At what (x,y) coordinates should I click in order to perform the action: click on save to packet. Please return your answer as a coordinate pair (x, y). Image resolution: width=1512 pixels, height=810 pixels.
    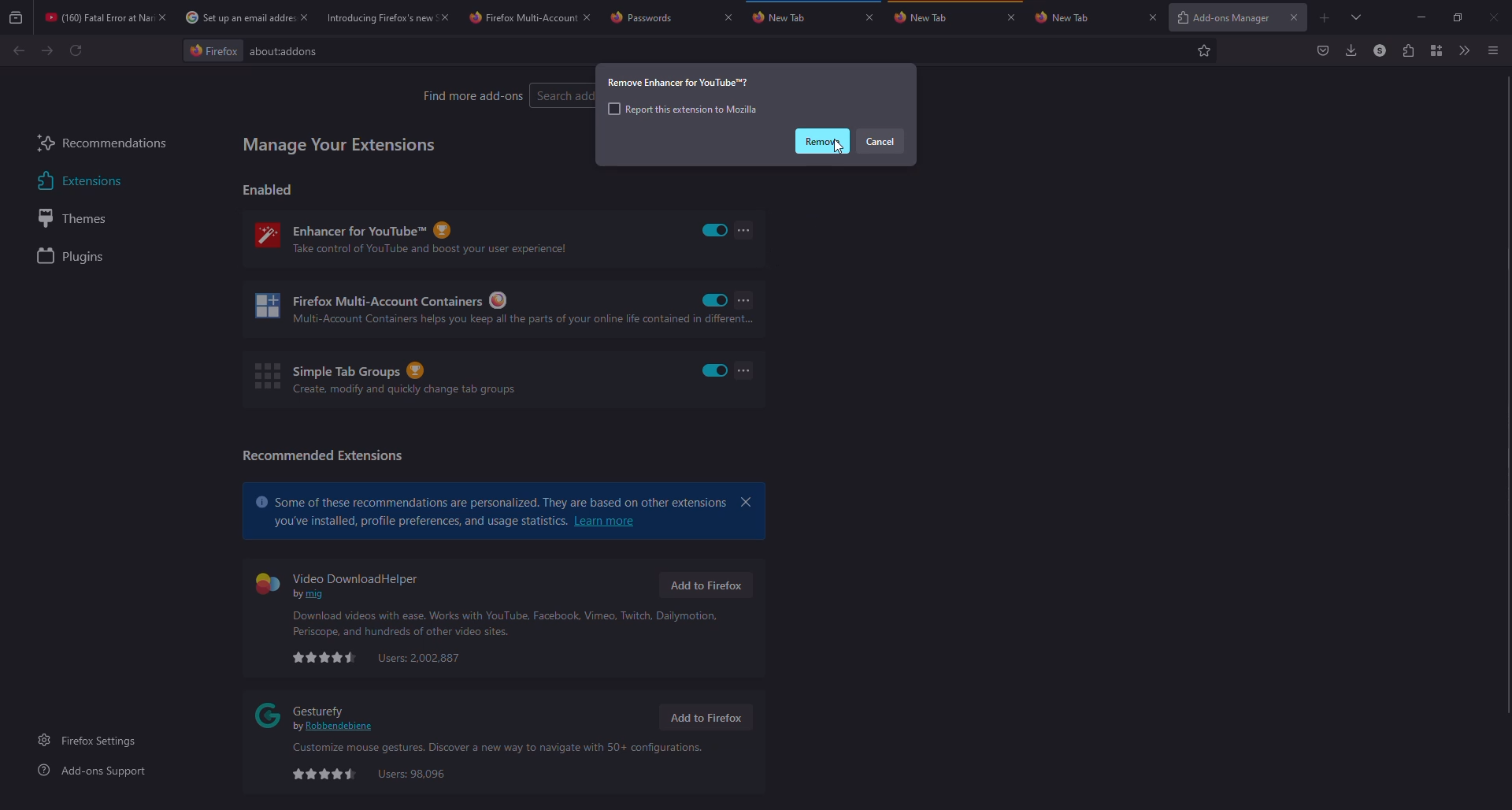
    Looking at the image, I should click on (1324, 50).